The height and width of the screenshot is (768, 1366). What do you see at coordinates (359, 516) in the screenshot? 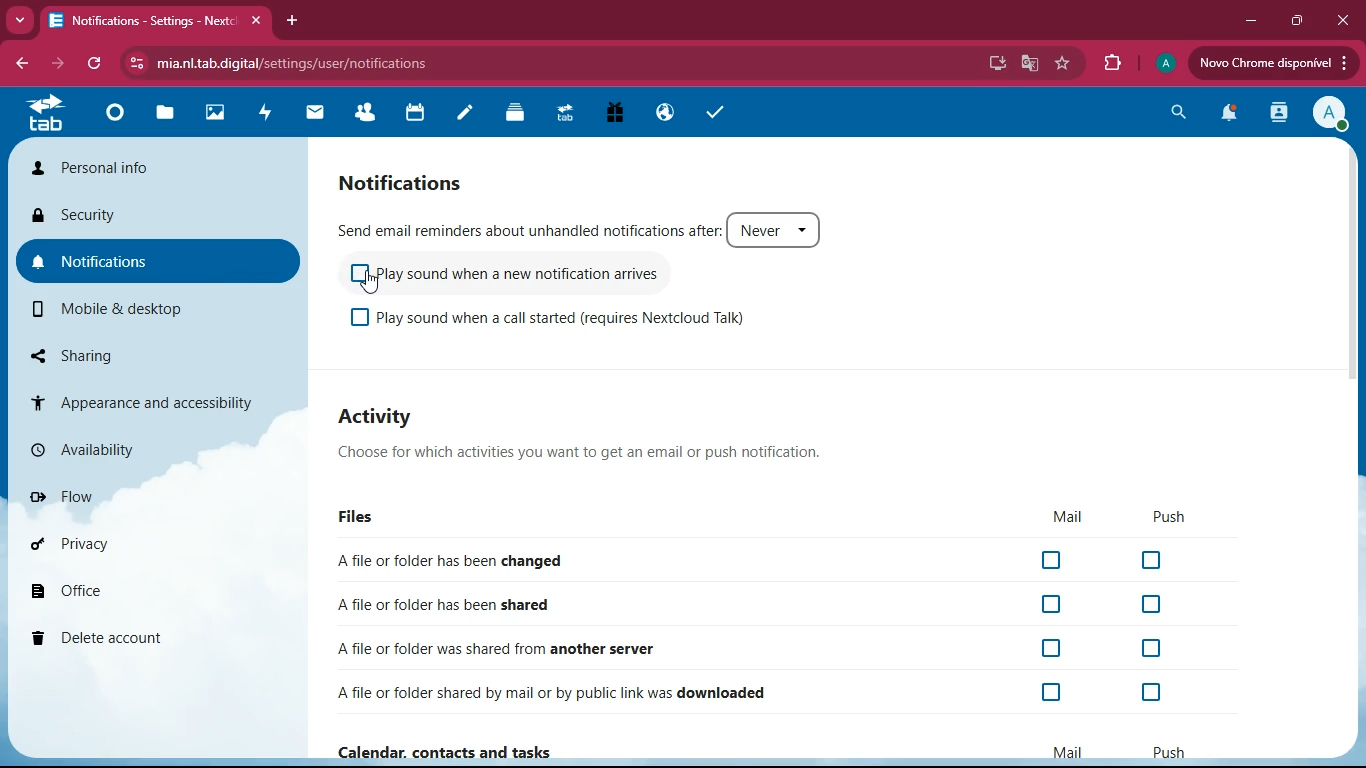
I see `files` at bounding box center [359, 516].